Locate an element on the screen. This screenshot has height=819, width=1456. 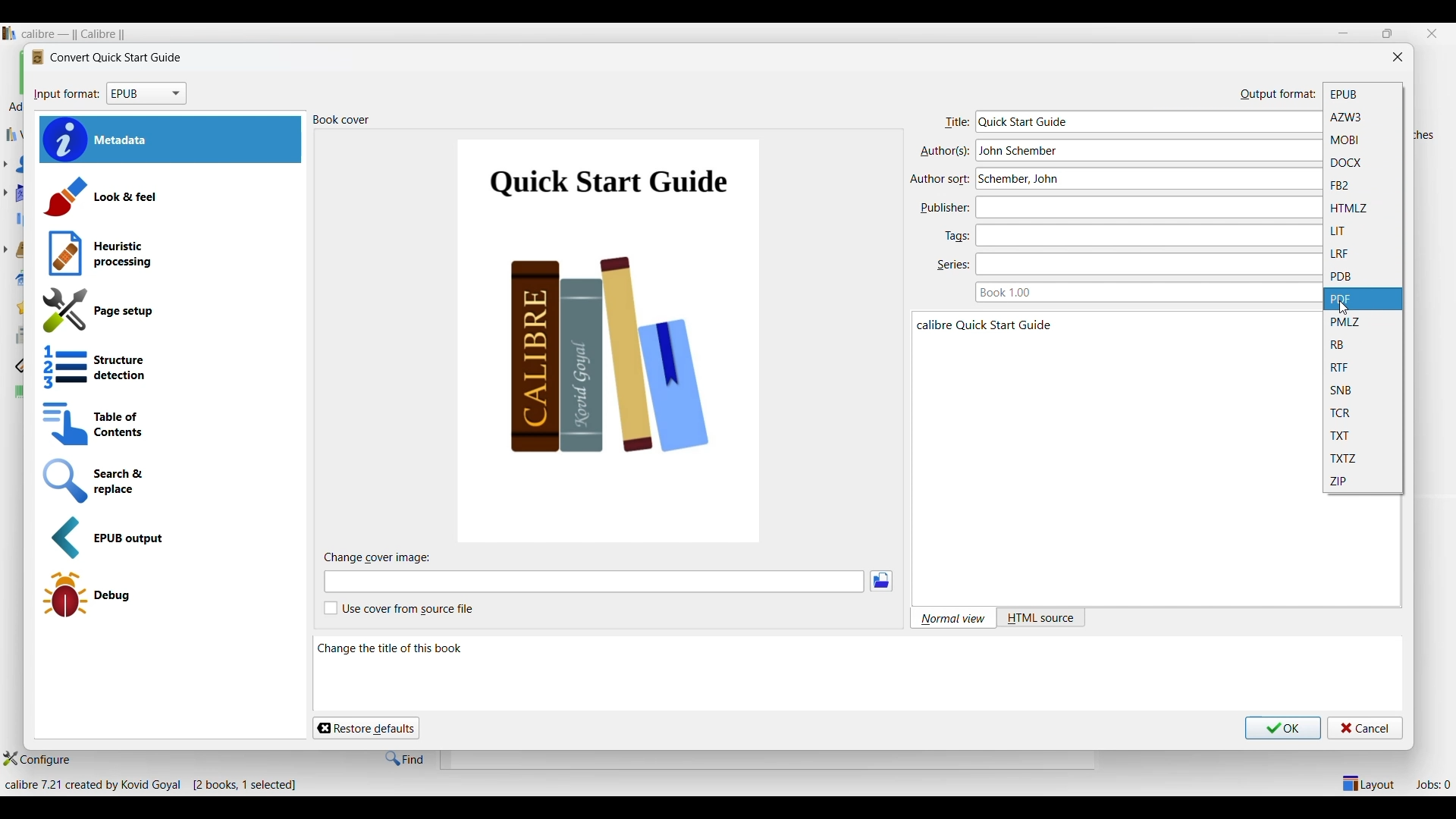
Normal view is located at coordinates (954, 619).